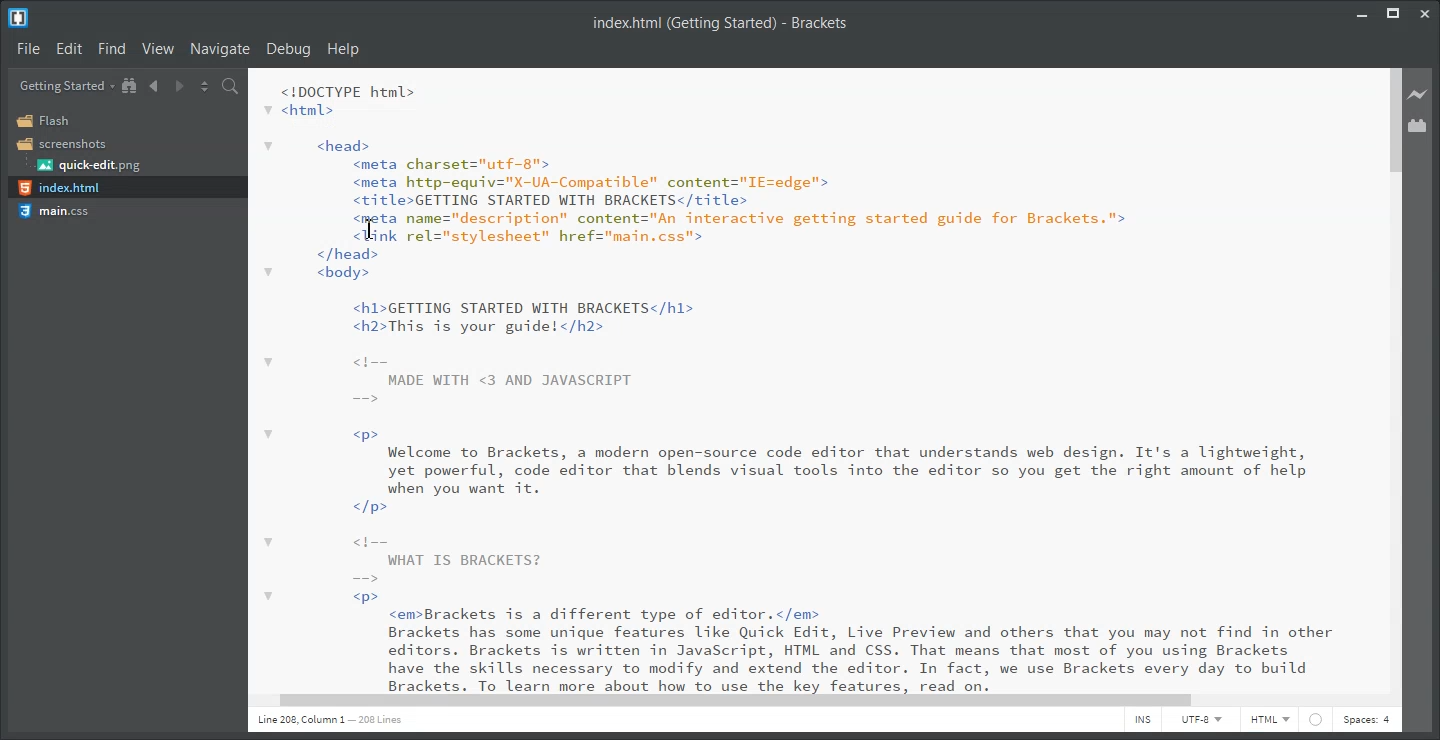  I want to click on main.css, so click(55, 211).